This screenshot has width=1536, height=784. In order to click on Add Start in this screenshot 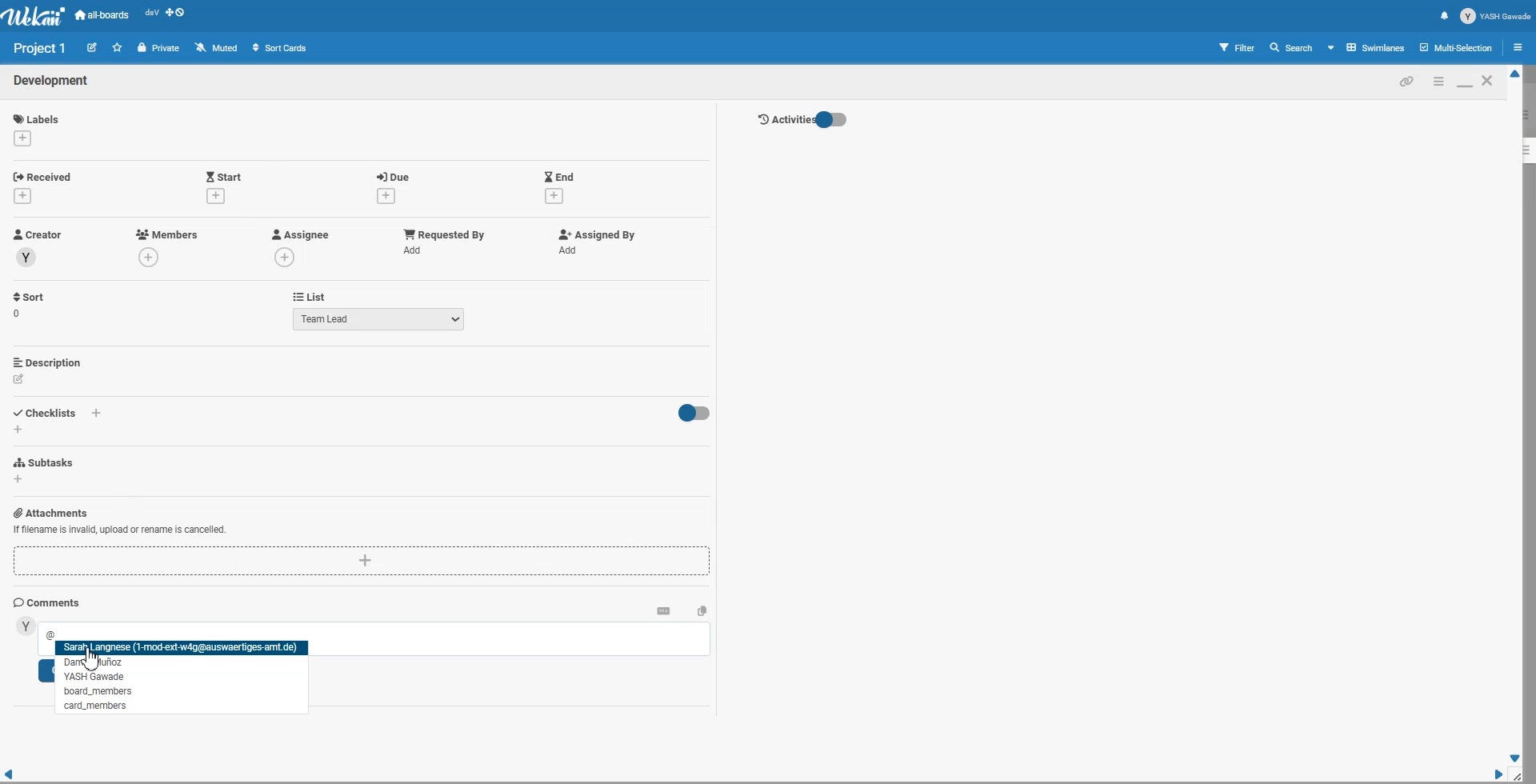, I will do `click(224, 175)`.